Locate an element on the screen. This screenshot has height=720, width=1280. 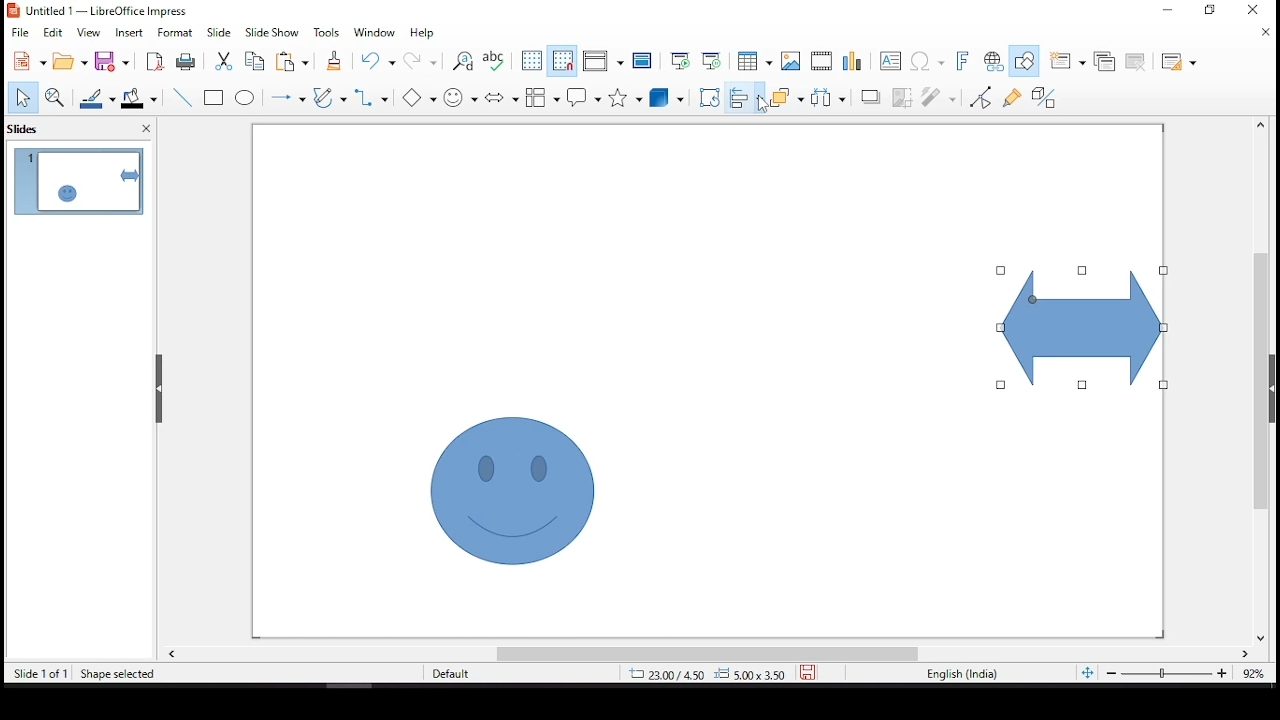
edit is located at coordinates (53, 33).